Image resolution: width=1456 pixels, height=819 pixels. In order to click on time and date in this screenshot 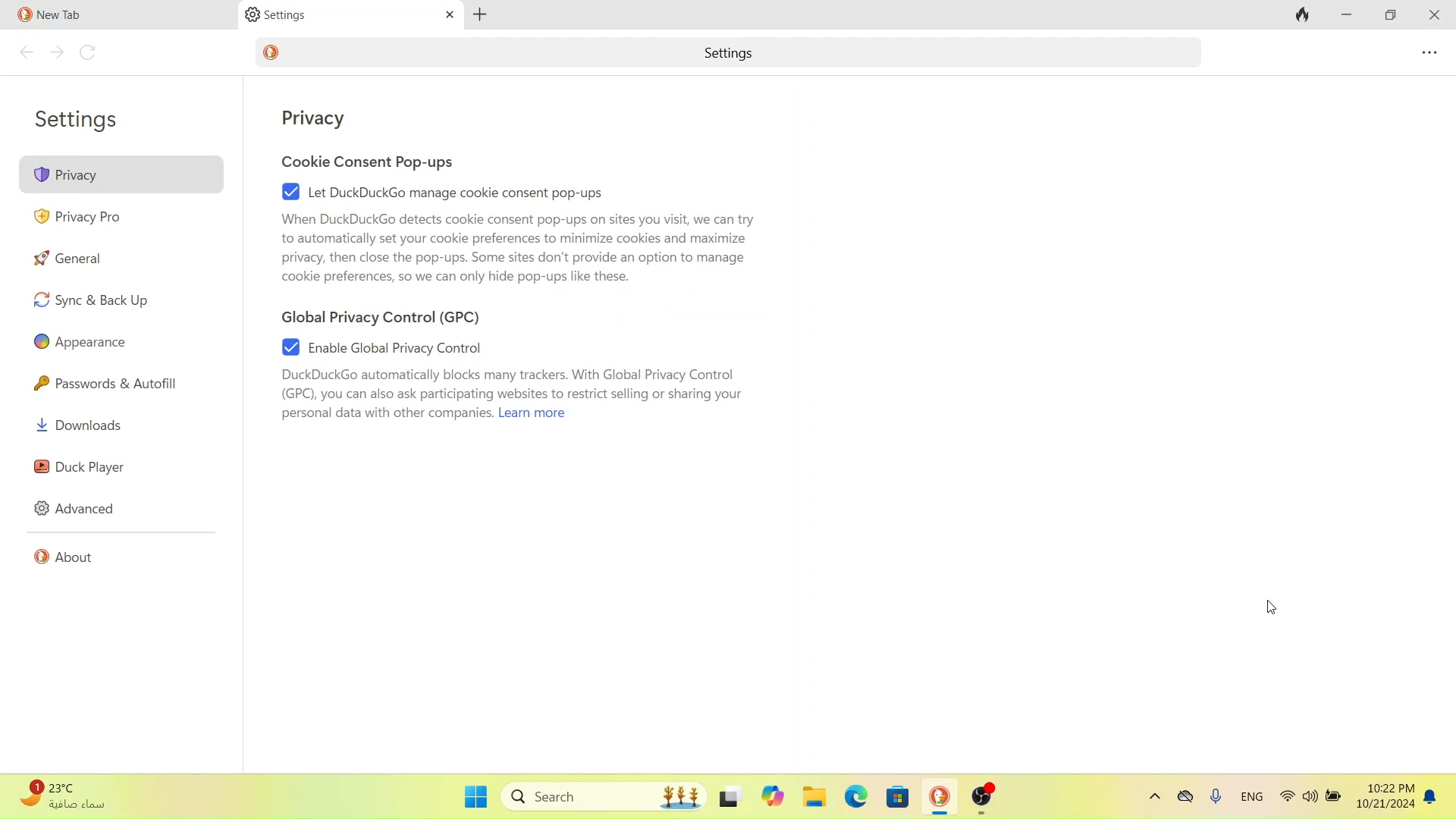, I will do `click(1384, 799)`.